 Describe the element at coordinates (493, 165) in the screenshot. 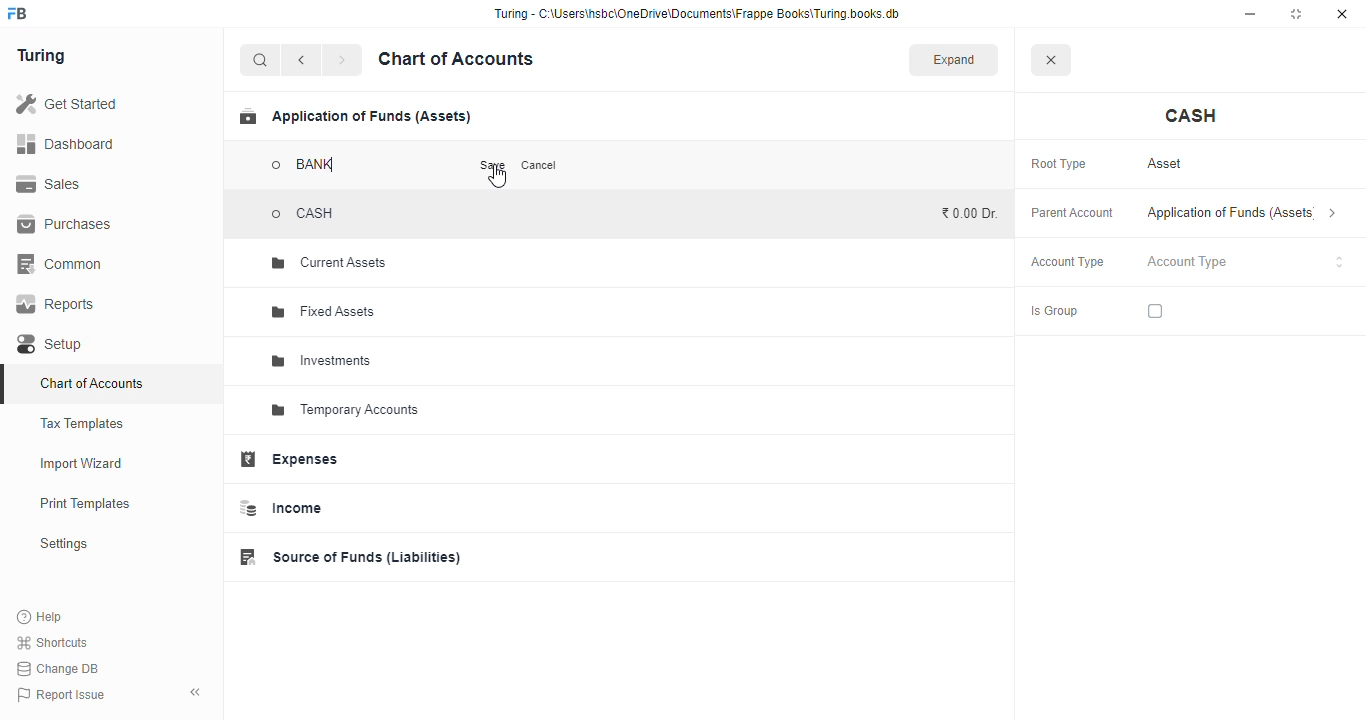

I see `save` at that location.